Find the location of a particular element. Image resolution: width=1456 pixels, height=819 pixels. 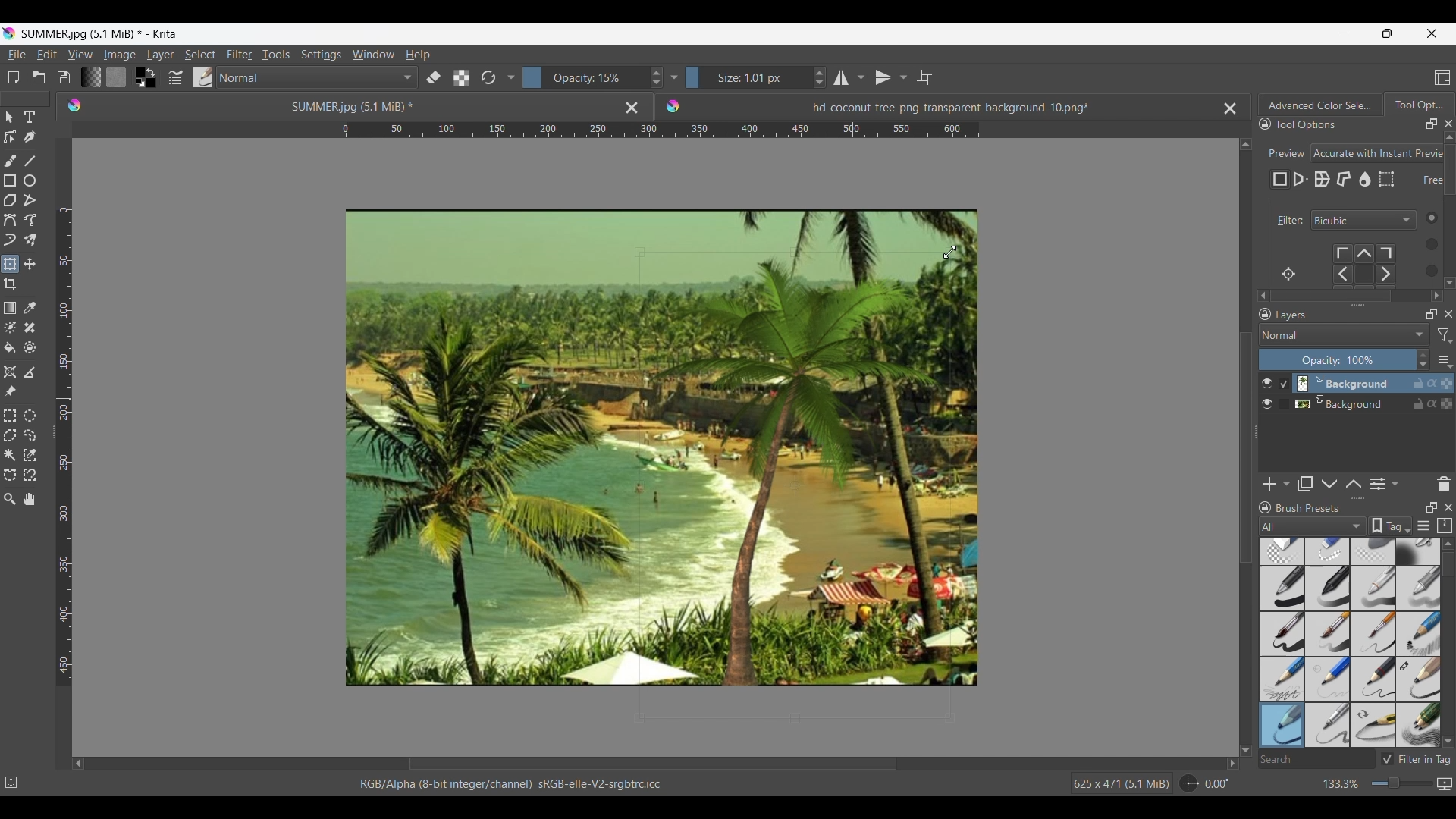

Close is located at coordinates (632, 107).